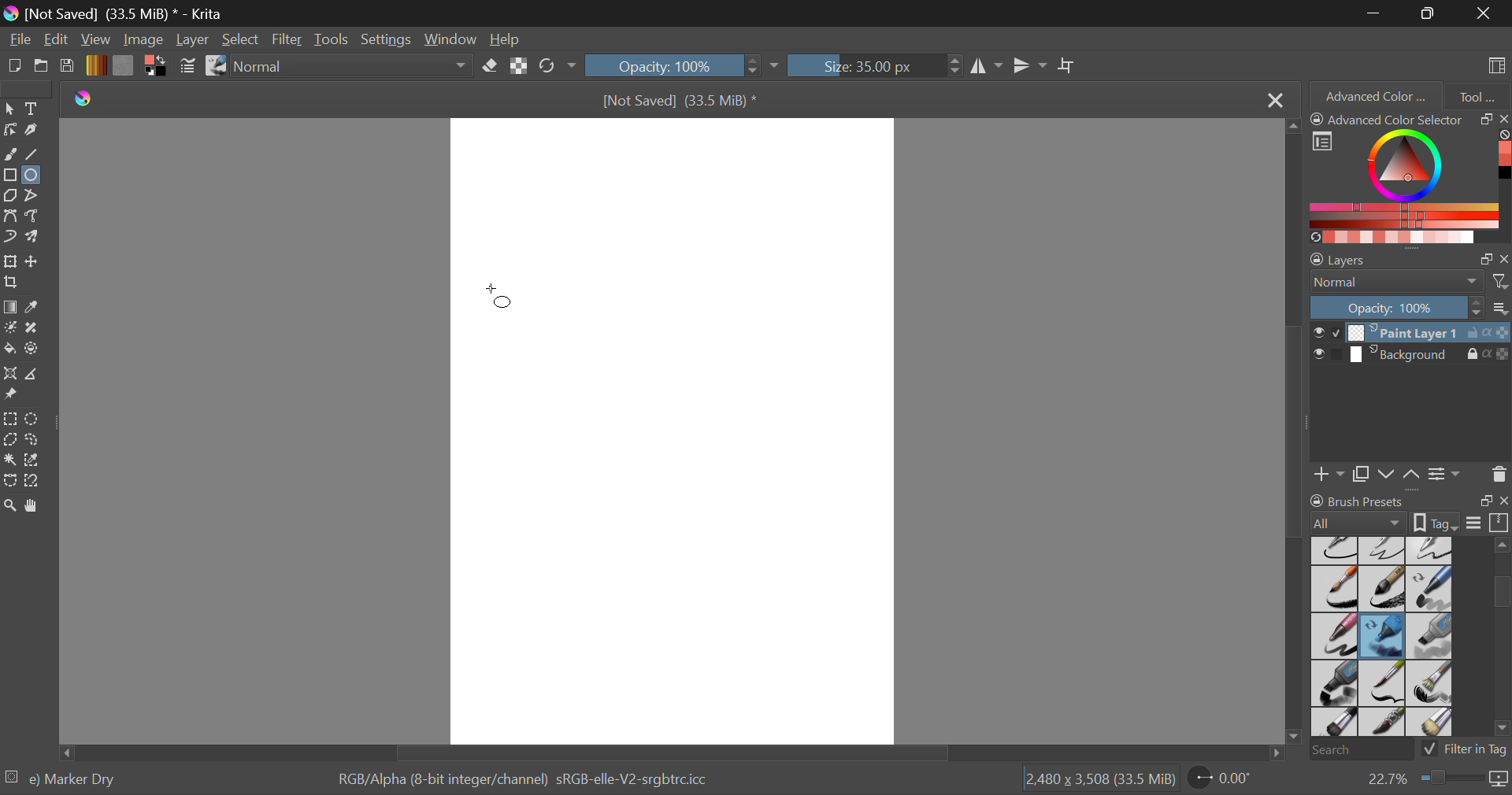  What do you see at coordinates (1484, 13) in the screenshot?
I see `Close` at bounding box center [1484, 13].